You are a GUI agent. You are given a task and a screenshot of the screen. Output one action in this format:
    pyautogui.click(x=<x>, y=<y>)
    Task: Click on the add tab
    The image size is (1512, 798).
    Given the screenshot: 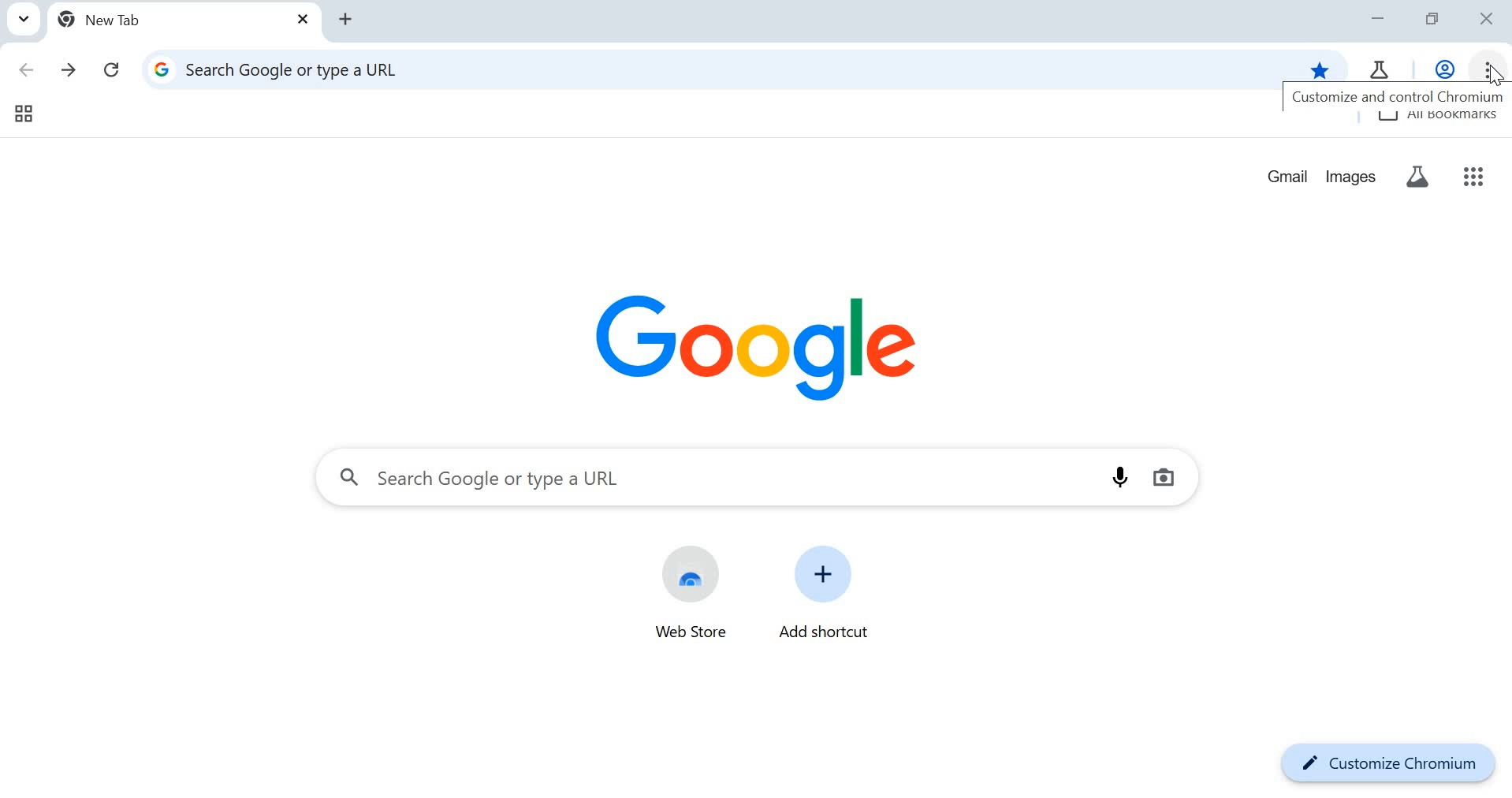 What is the action you would take?
    pyautogui.click(x=348, y=20)
    